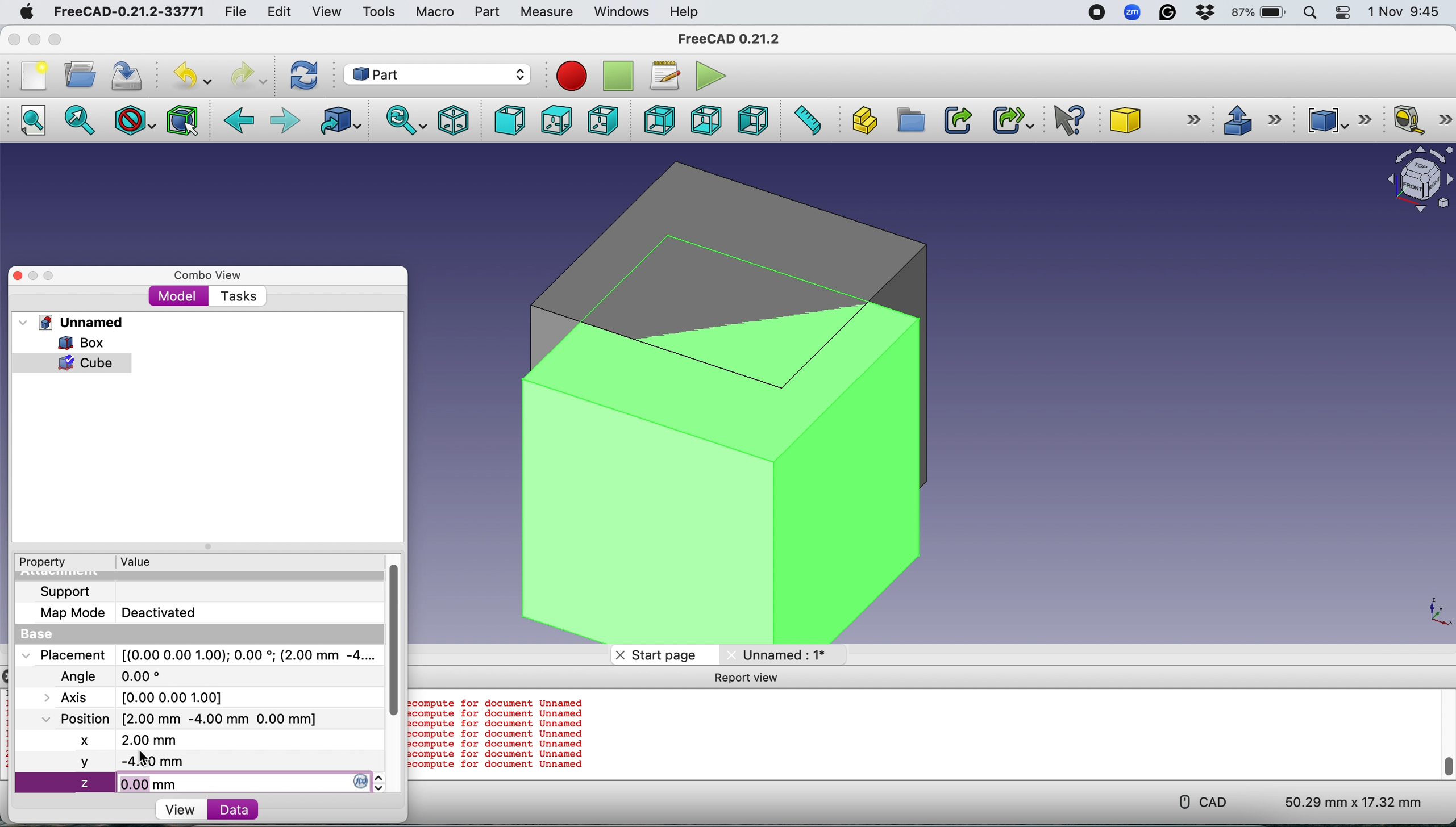  I want to click on Bottom, so click(706, 120).